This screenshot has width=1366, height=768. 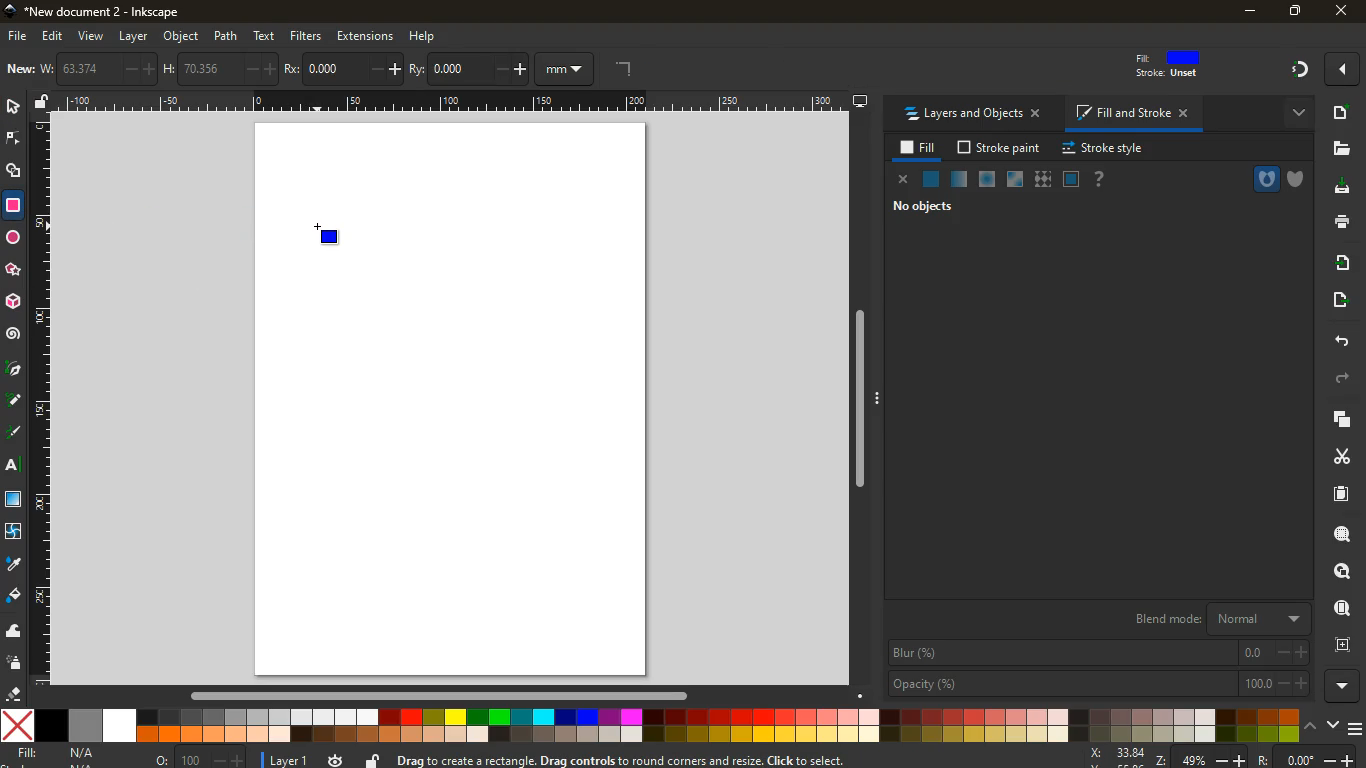 What do you see at coordinates (1103, 149) in the screenshot?
I see `stroke style` at bounding box center [1103, 149].